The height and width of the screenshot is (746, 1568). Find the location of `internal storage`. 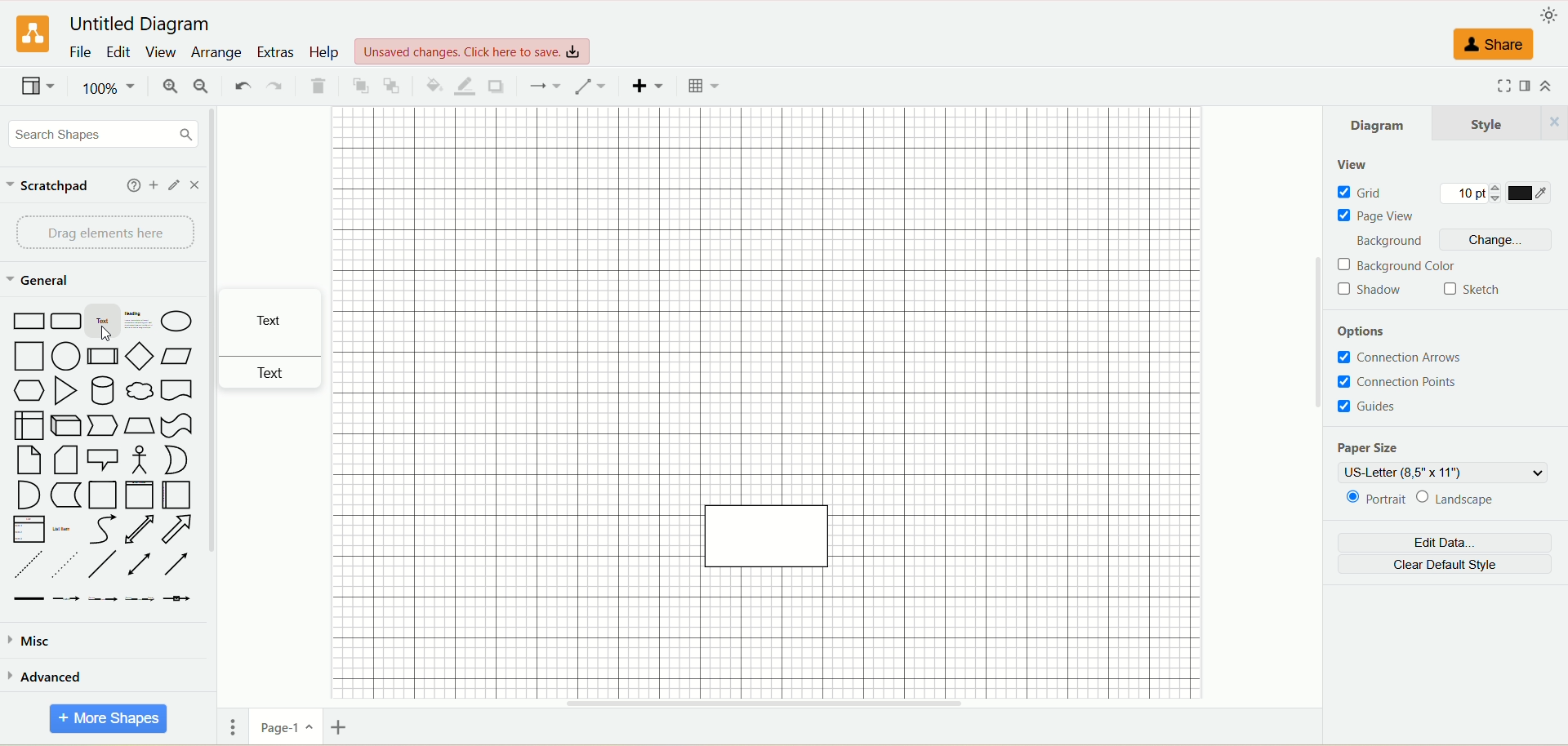

internal storage is located at coordinates (28, 424).